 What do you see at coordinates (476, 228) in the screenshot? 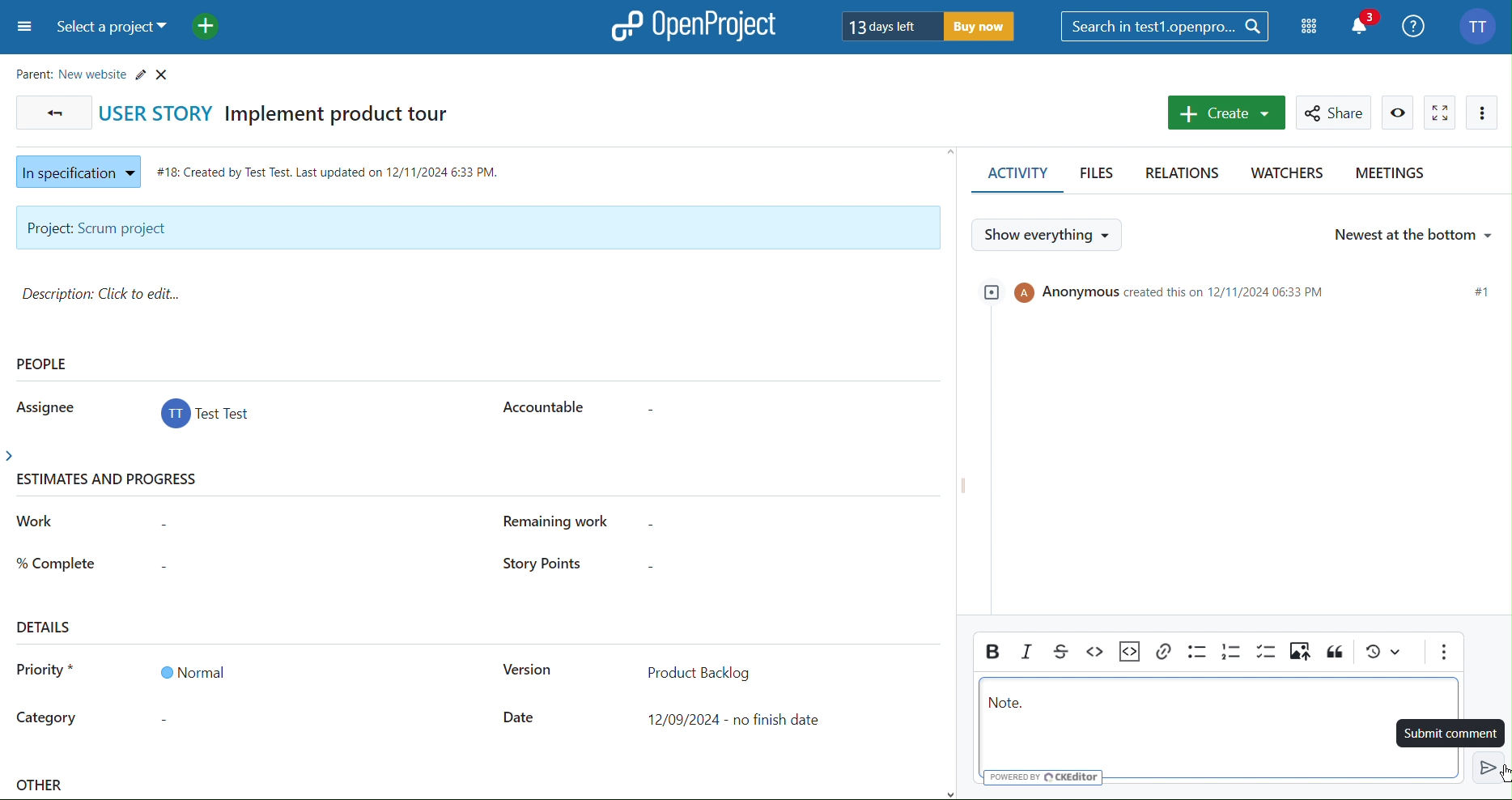
I see `Project: Scrum project` at bounding box center [476, 228].